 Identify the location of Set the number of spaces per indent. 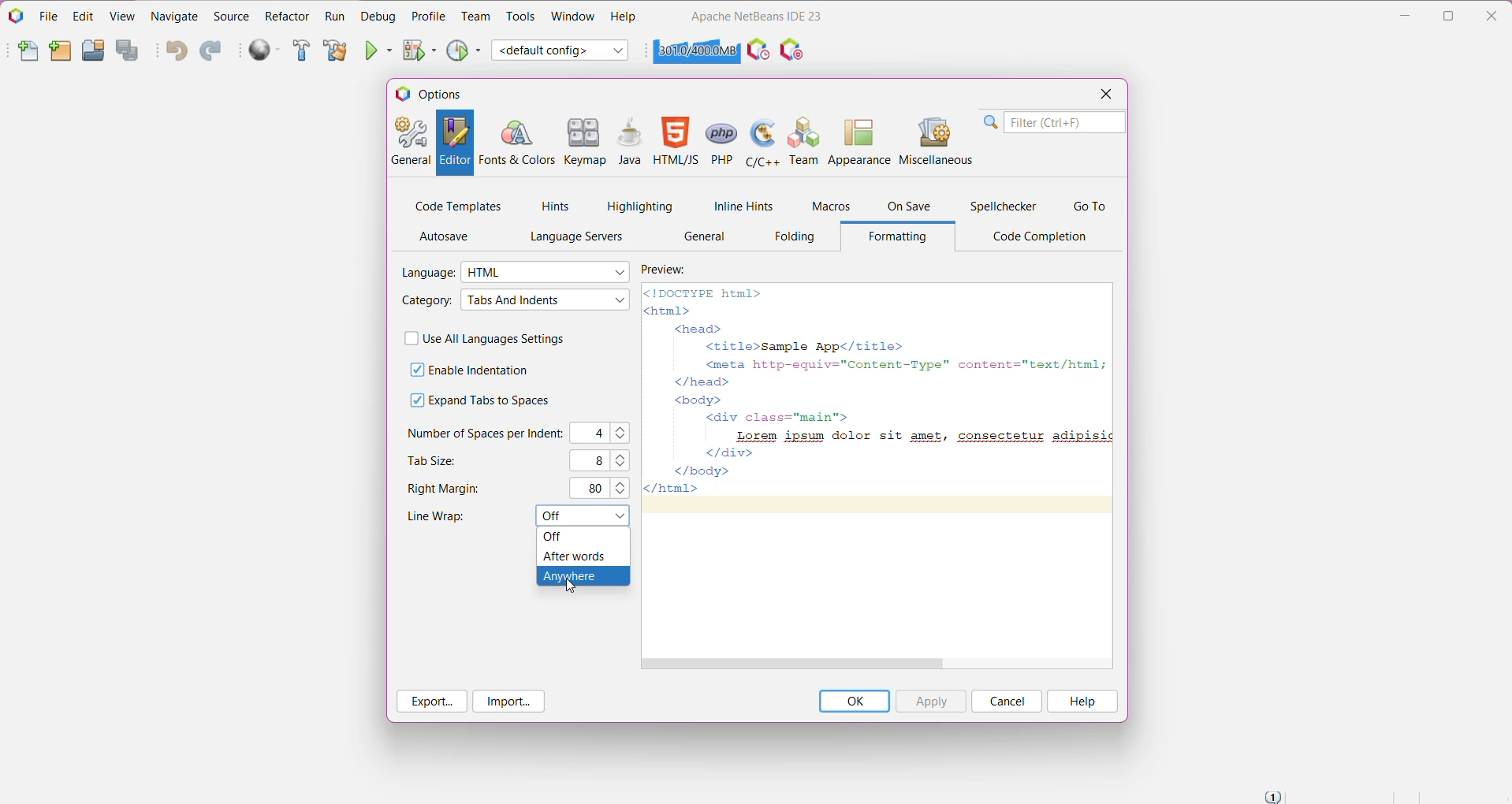
(623, 433).